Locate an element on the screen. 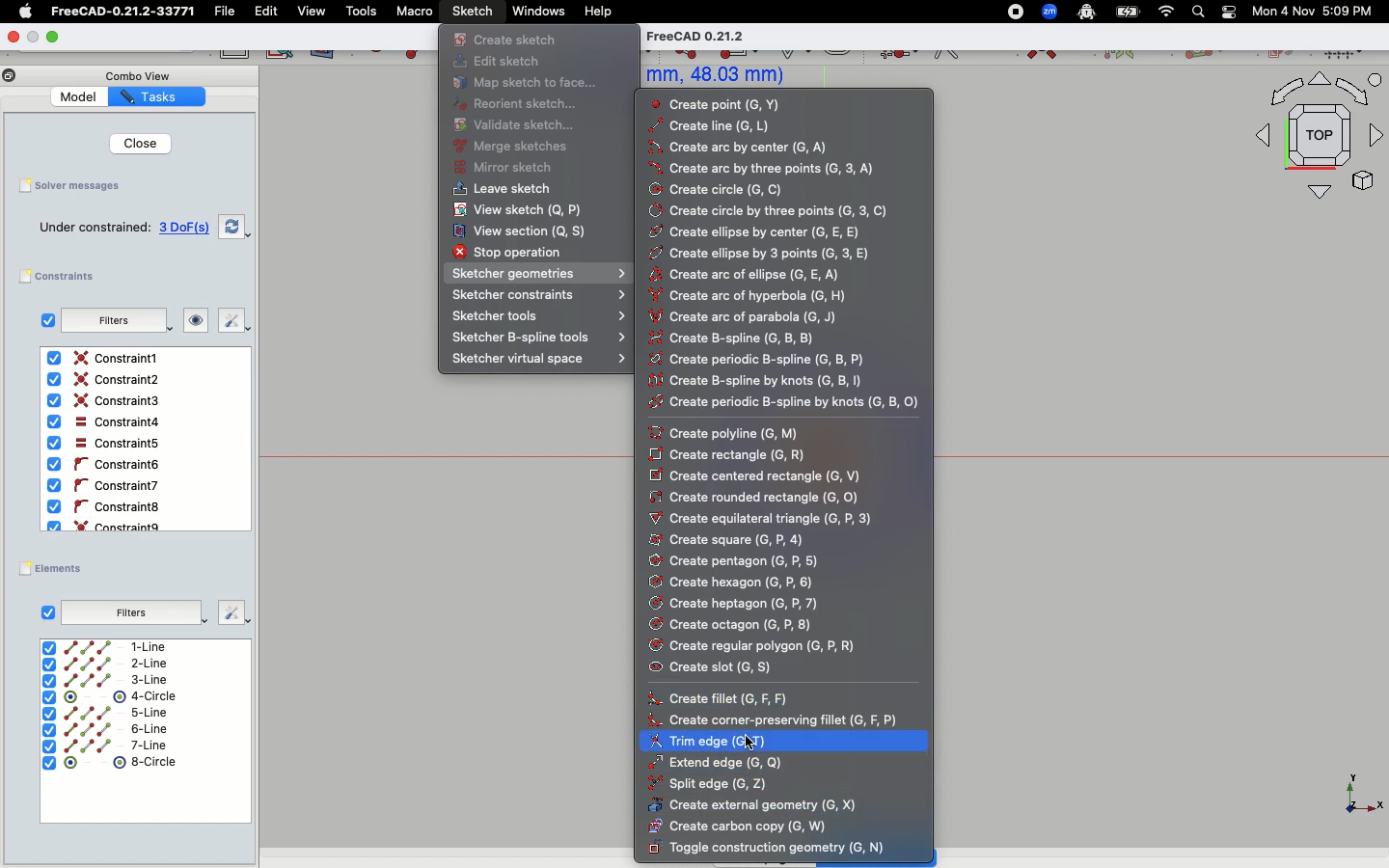 The height and width of the screenshot is (868, 1389). 3-Line is located at coordinates (118, 680).